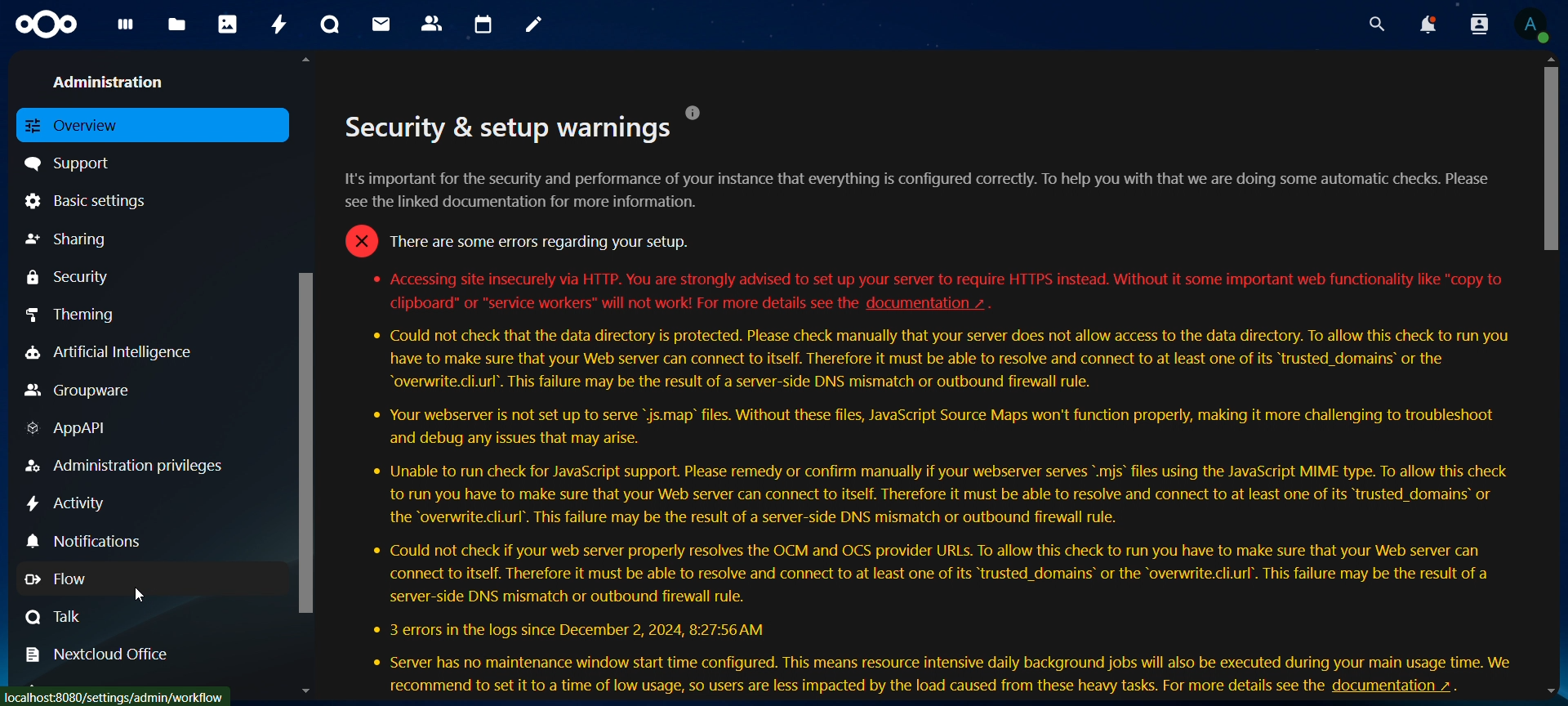  I want to click on view profile, so click(1531, 25).